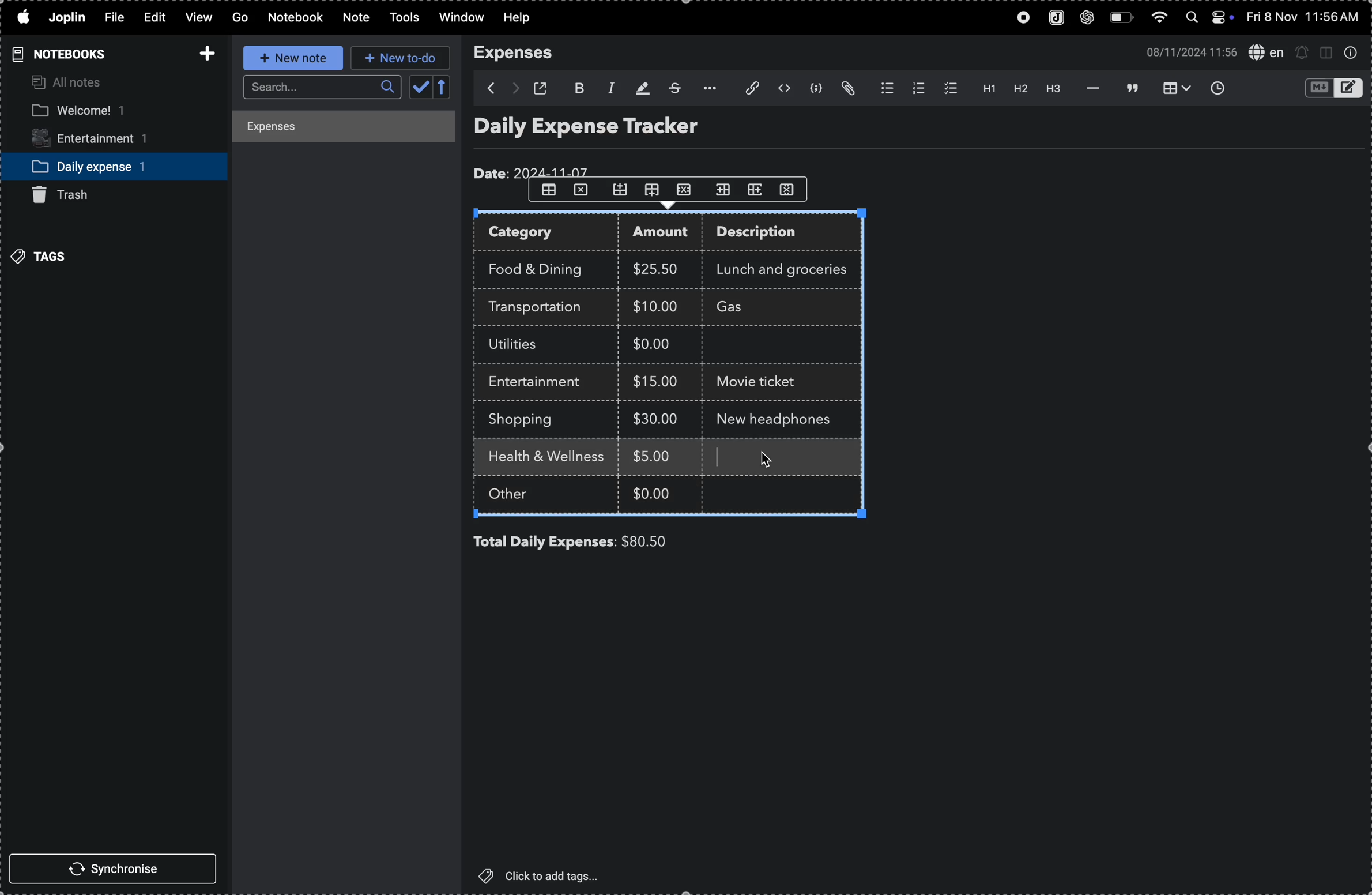  What do you see at coordinates (69, 17) in the screenshot?
I see `joplin` at bounding box center [69, 17].